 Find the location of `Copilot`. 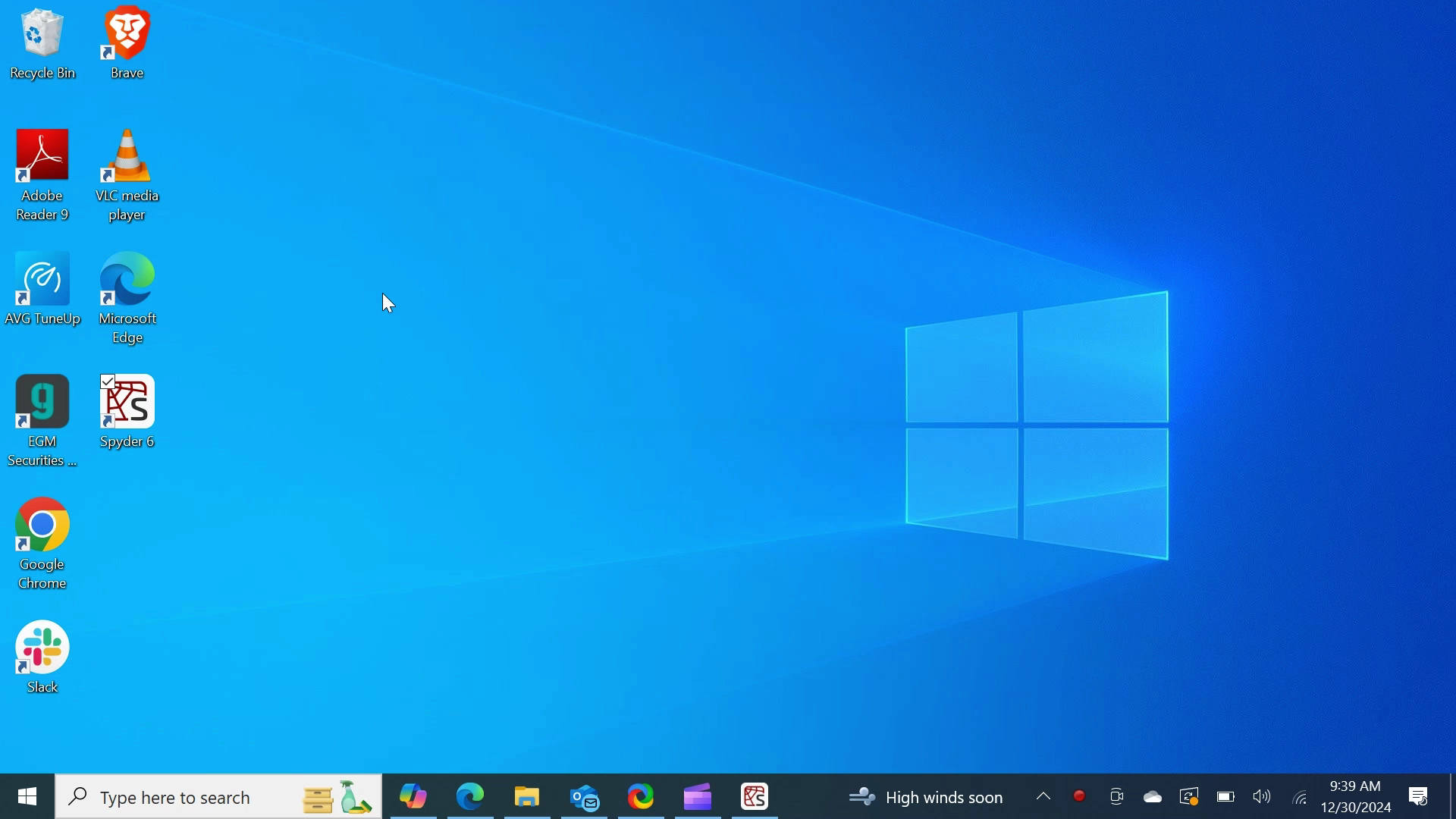

Copilot is located at coordinates (413, 795).